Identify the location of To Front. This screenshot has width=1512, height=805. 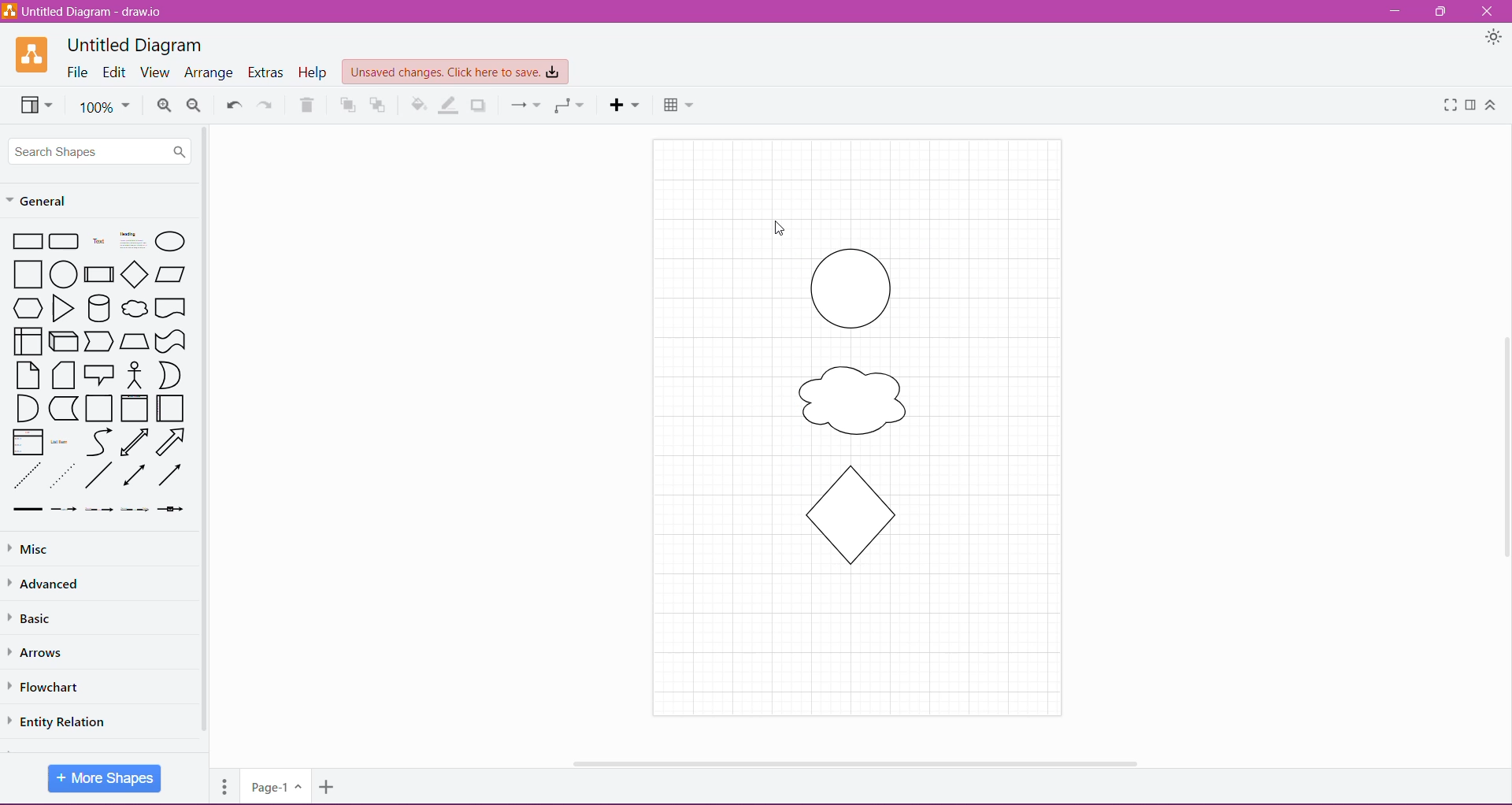
(346, 106).